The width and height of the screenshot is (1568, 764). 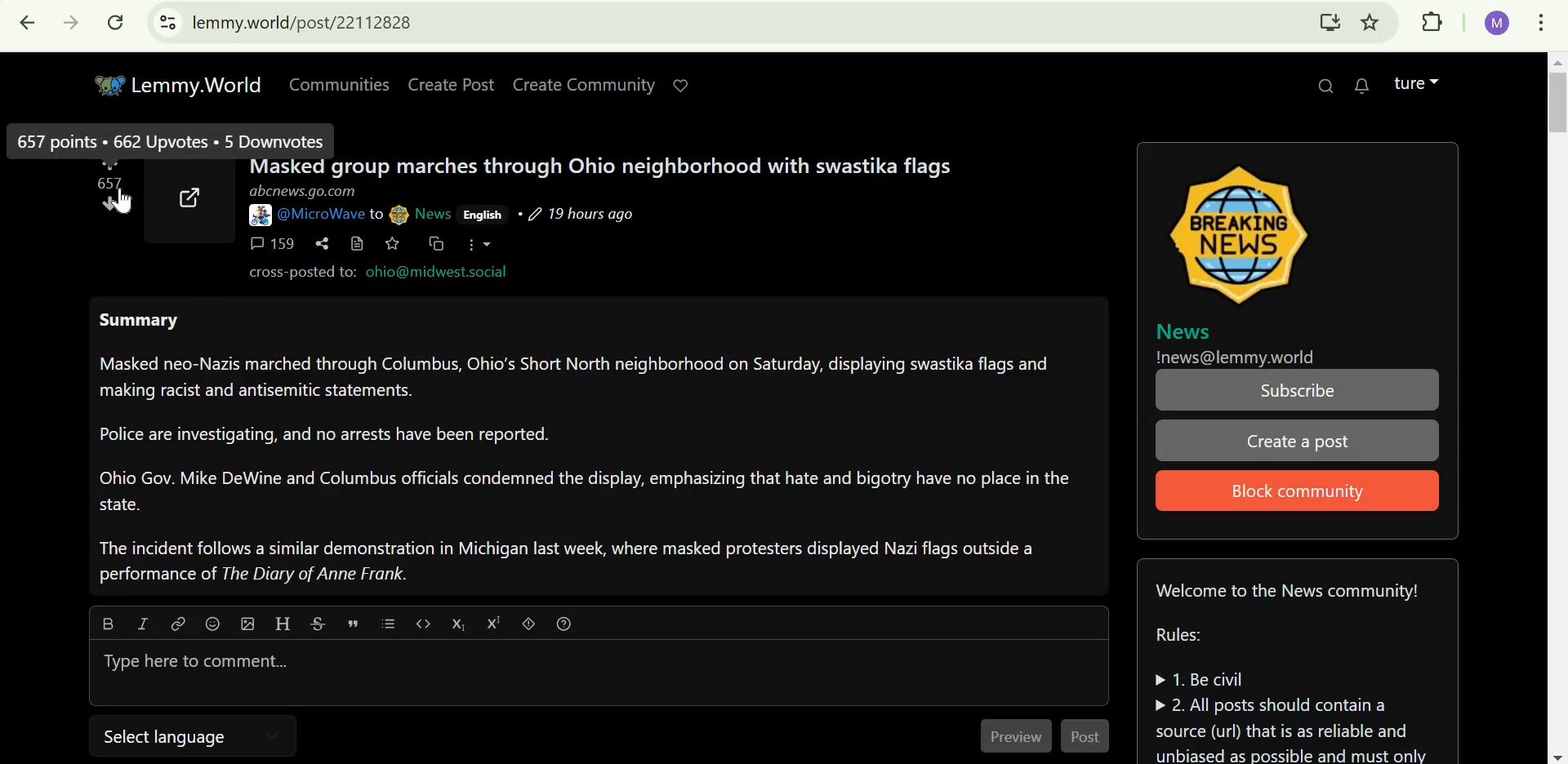 I want to click on @MicroWave to, so click(x=327, y=215).